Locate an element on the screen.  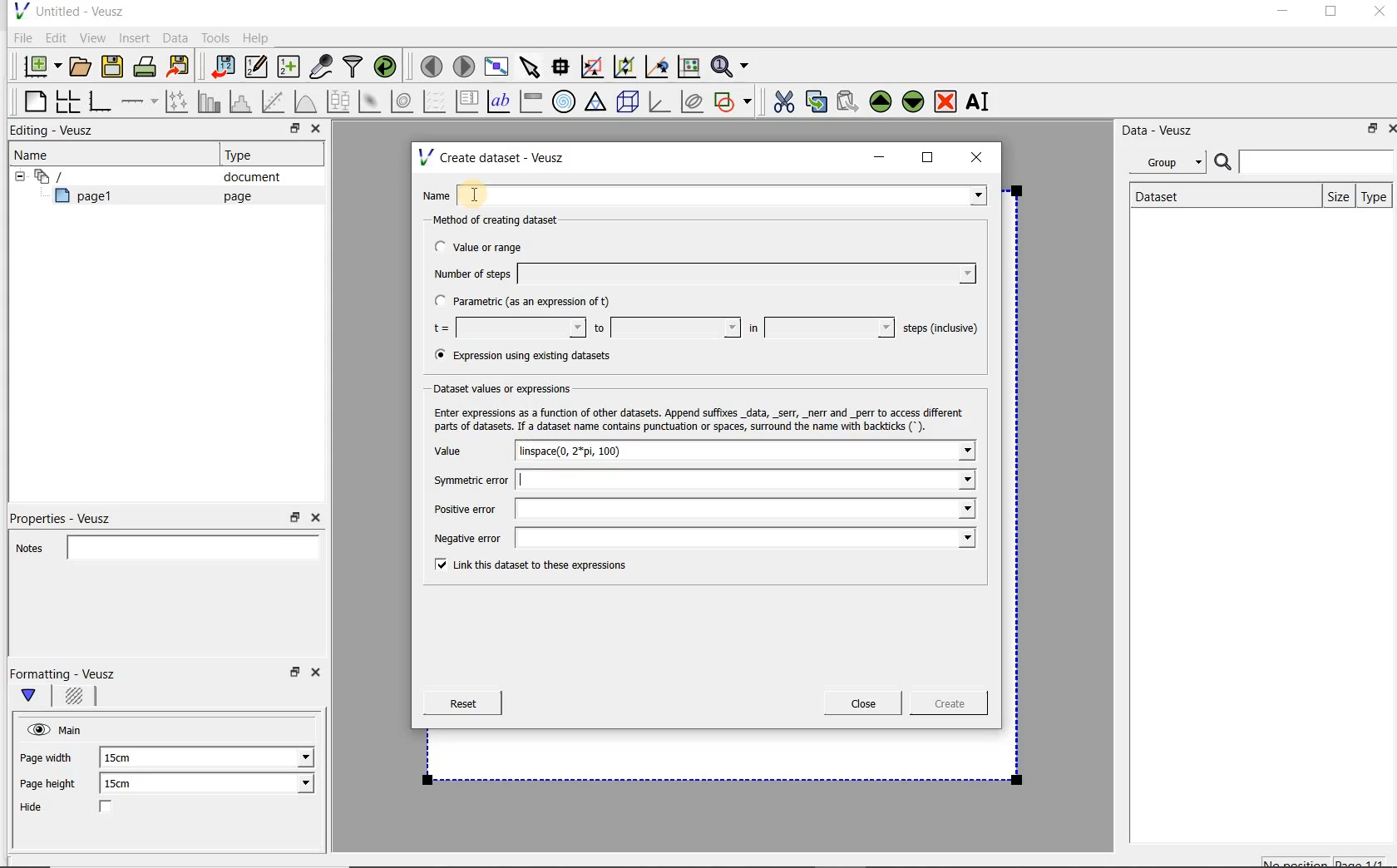
move to the next page is located at coordinates (464, 67).